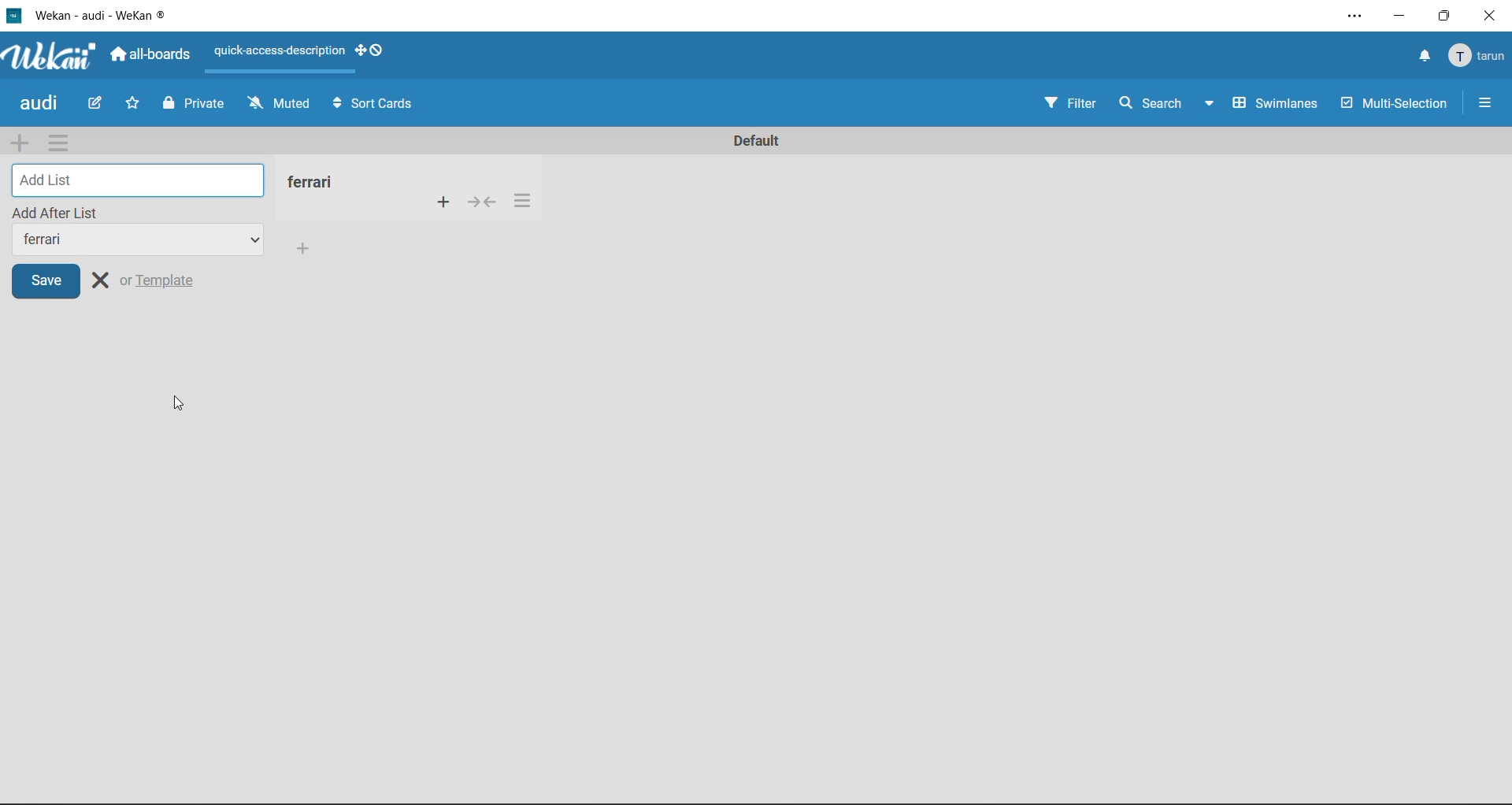  What do you see at coordinates (279, 52) in the screenshot?
I see `quick-access-description` at bounding box center [279, 52].